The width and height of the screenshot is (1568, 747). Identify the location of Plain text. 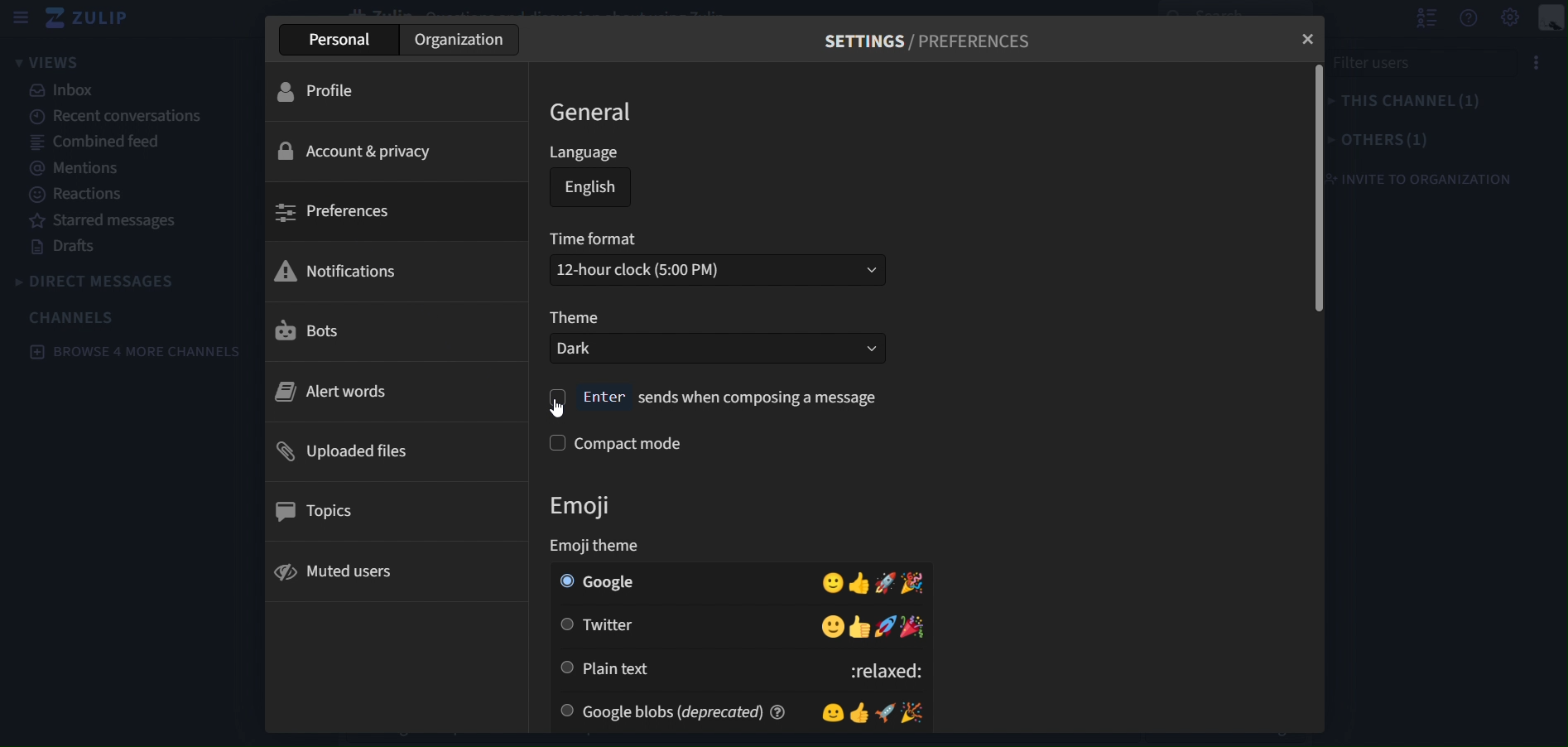
(706, 668).